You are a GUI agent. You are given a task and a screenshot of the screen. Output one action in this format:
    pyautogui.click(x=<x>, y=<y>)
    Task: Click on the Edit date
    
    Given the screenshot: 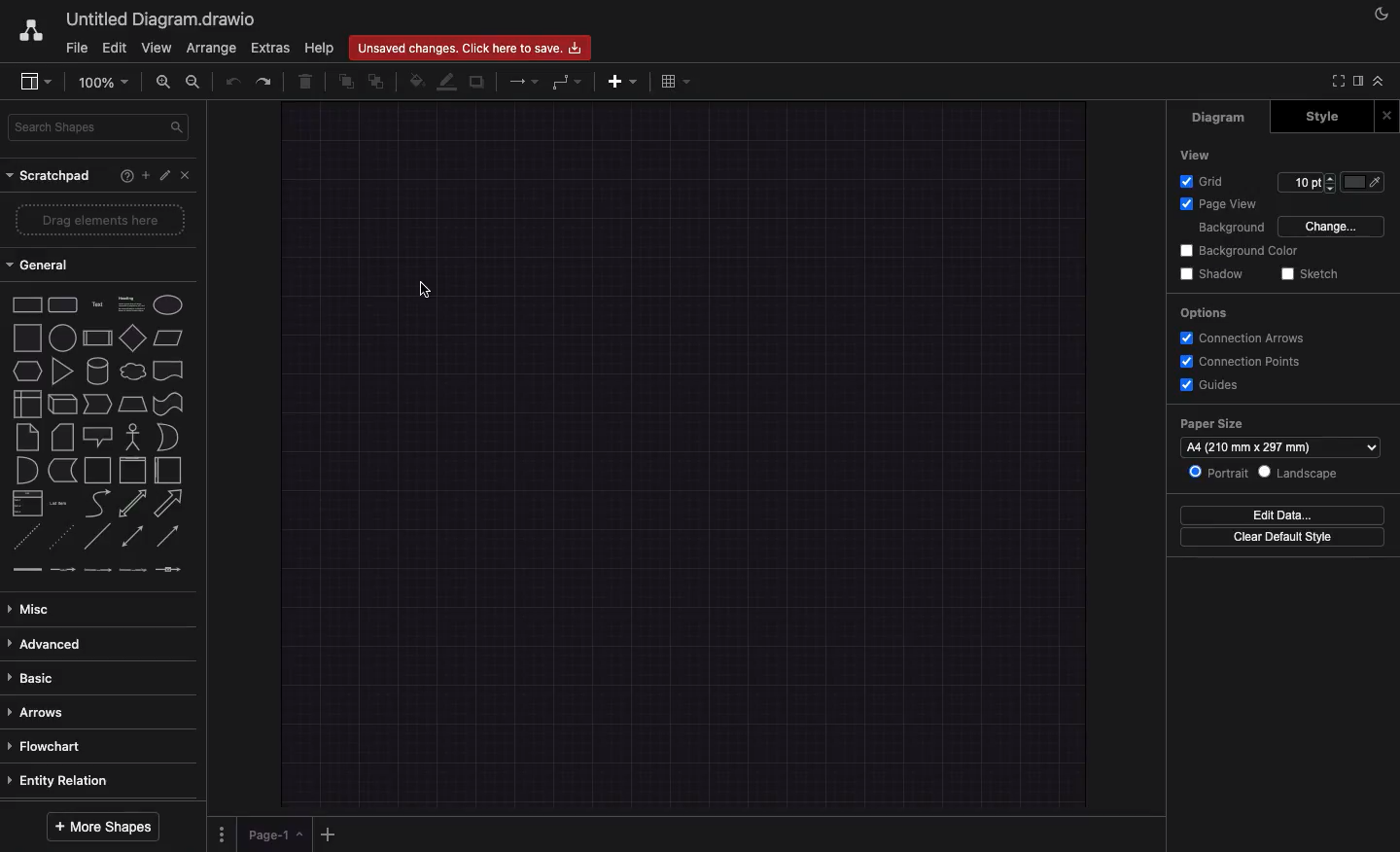 What is the action you would take?
    pyautogui.click(x=1275, y=514)
    